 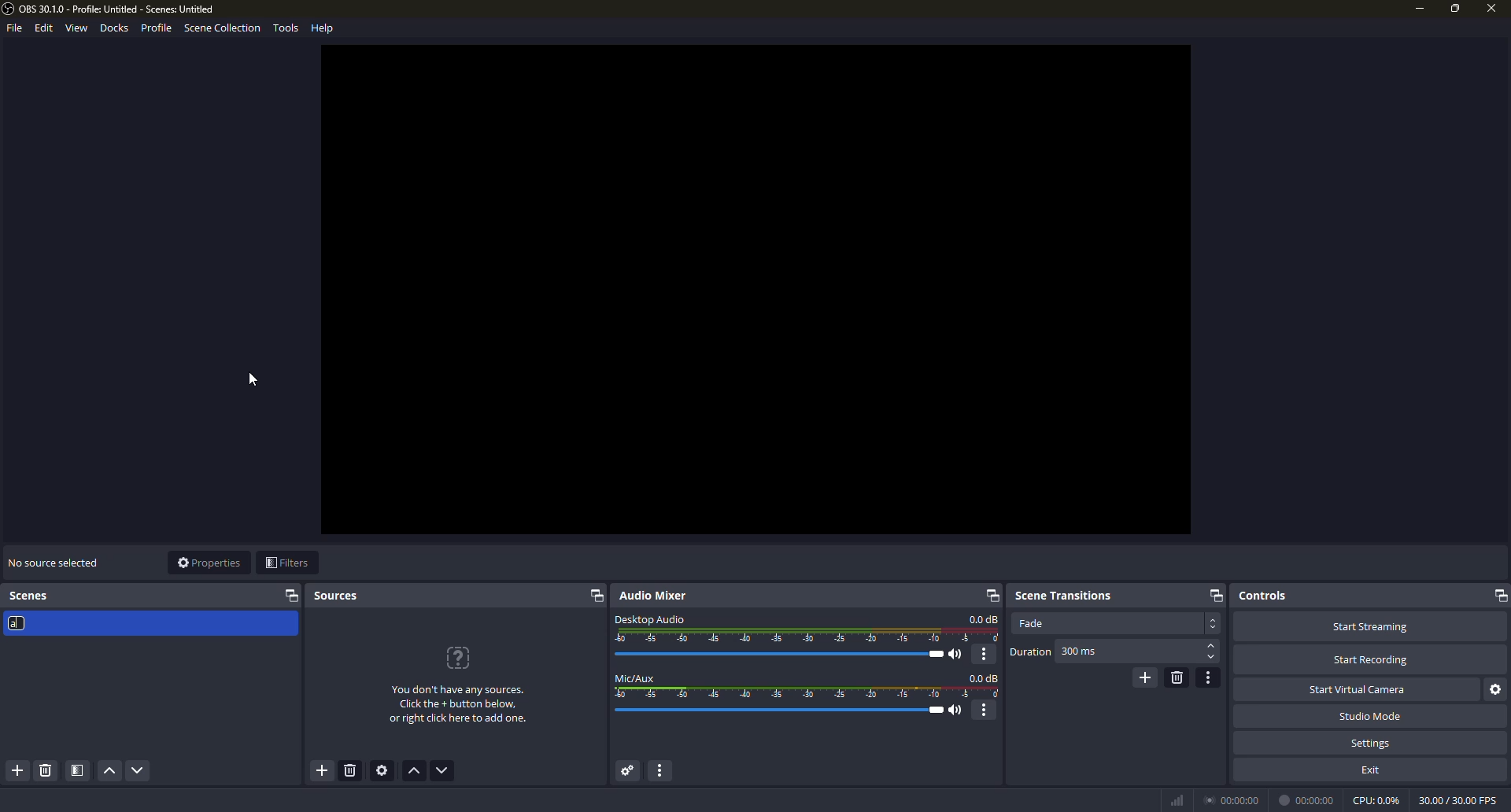 I want to click on fps, so click(x=1456, y=799).